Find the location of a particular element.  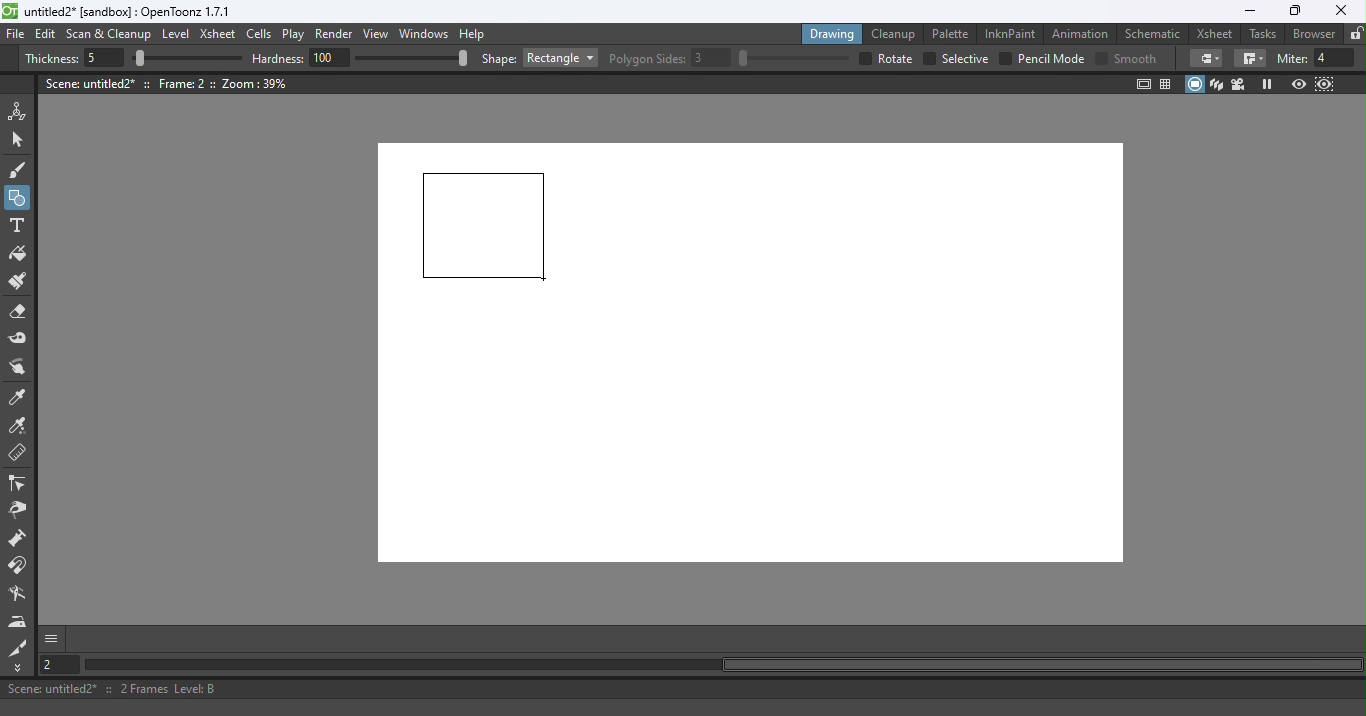

Close is located at coordinates (1340, 11).